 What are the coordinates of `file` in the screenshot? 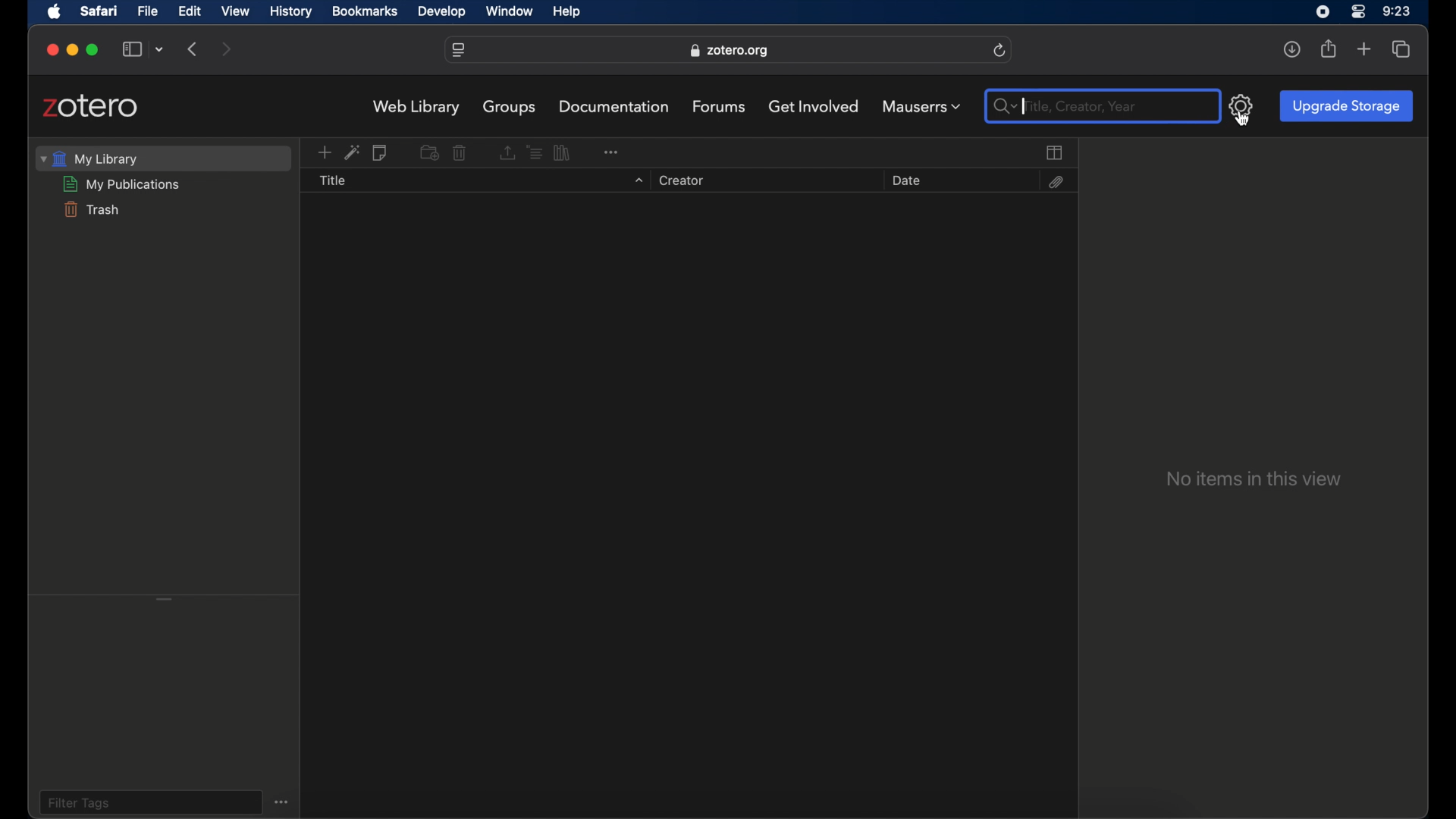 It's located at (149, 11).